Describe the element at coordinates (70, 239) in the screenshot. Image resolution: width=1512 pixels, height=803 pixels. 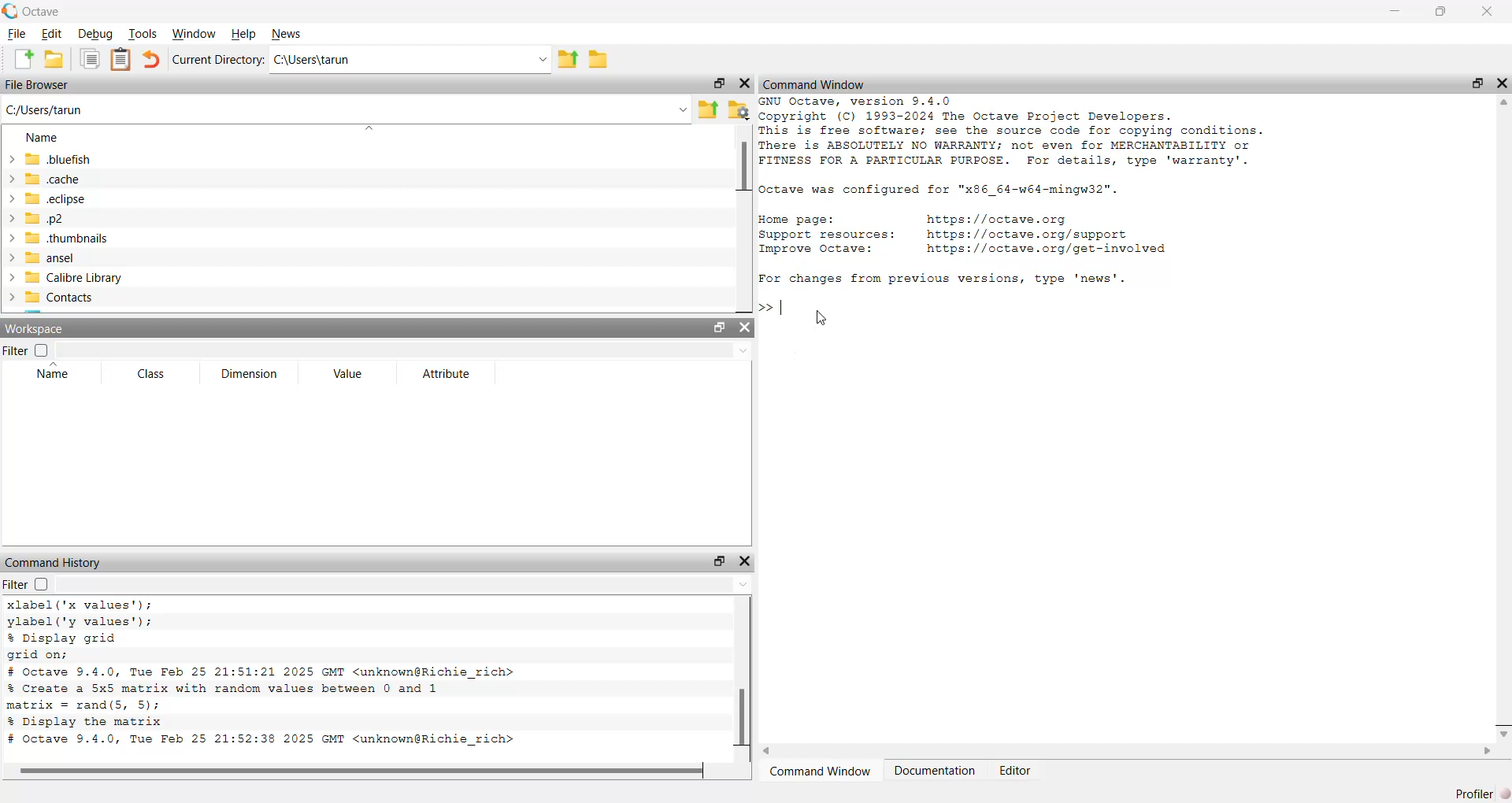
I see `thumbnails` at that location.